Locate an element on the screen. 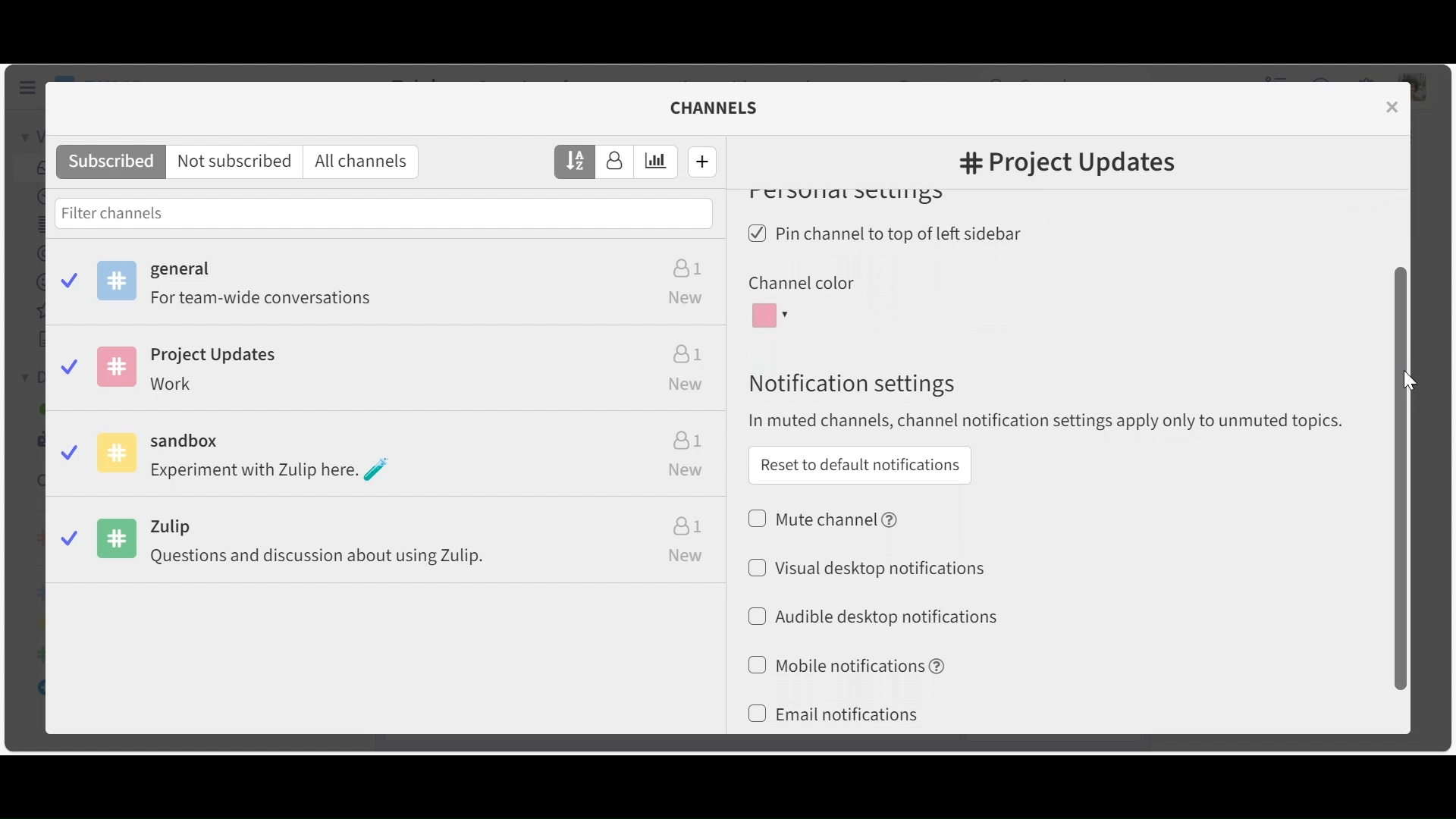 The image size is (1456, 819). Reset to default notifications is located at coordinates (859, 465).